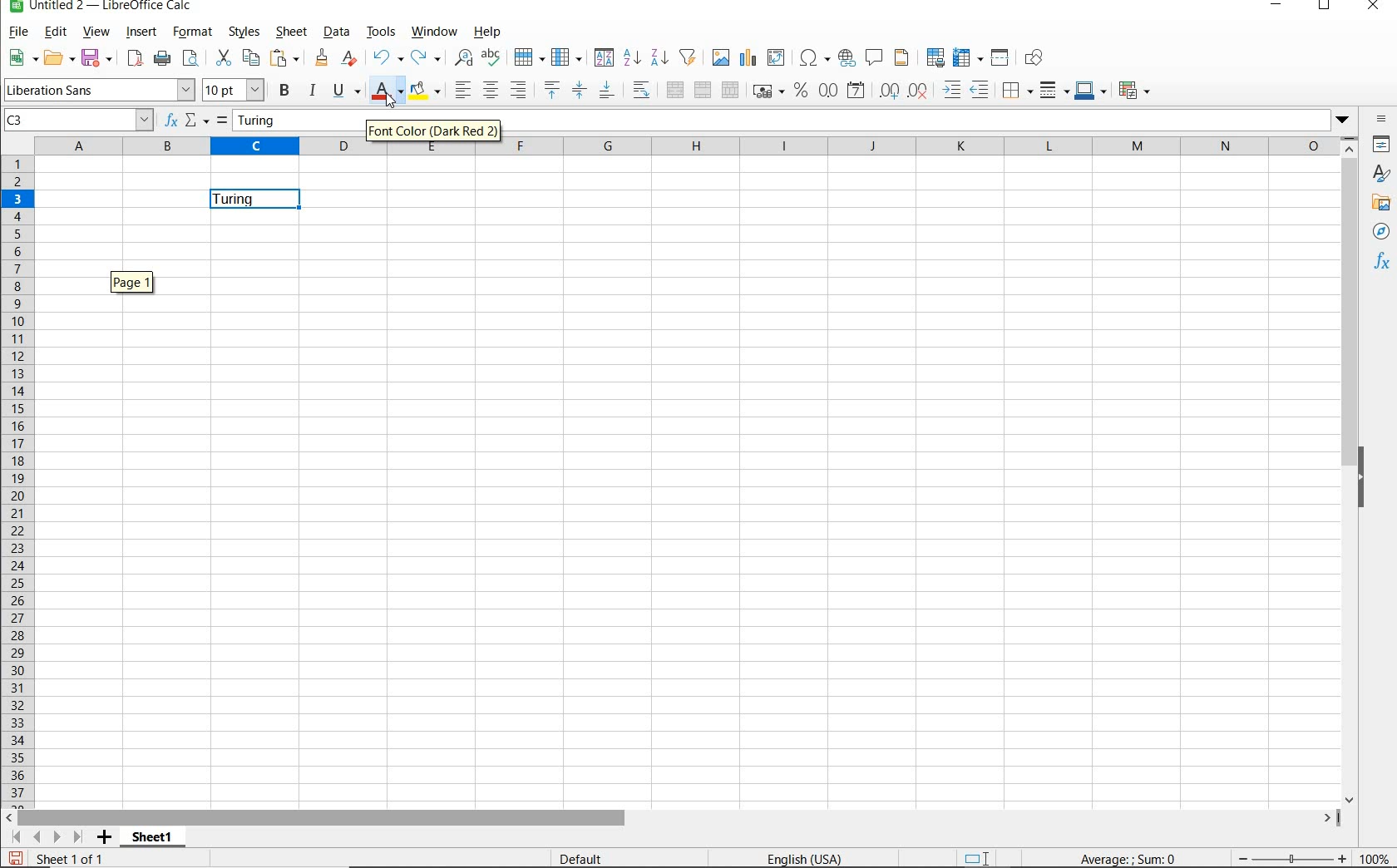 The height and width of the screenshot is (868, 1397). Describe the element at coordinates (932, 57) in the screenshot. I see `DEFINE PRINT AREA` at that location.